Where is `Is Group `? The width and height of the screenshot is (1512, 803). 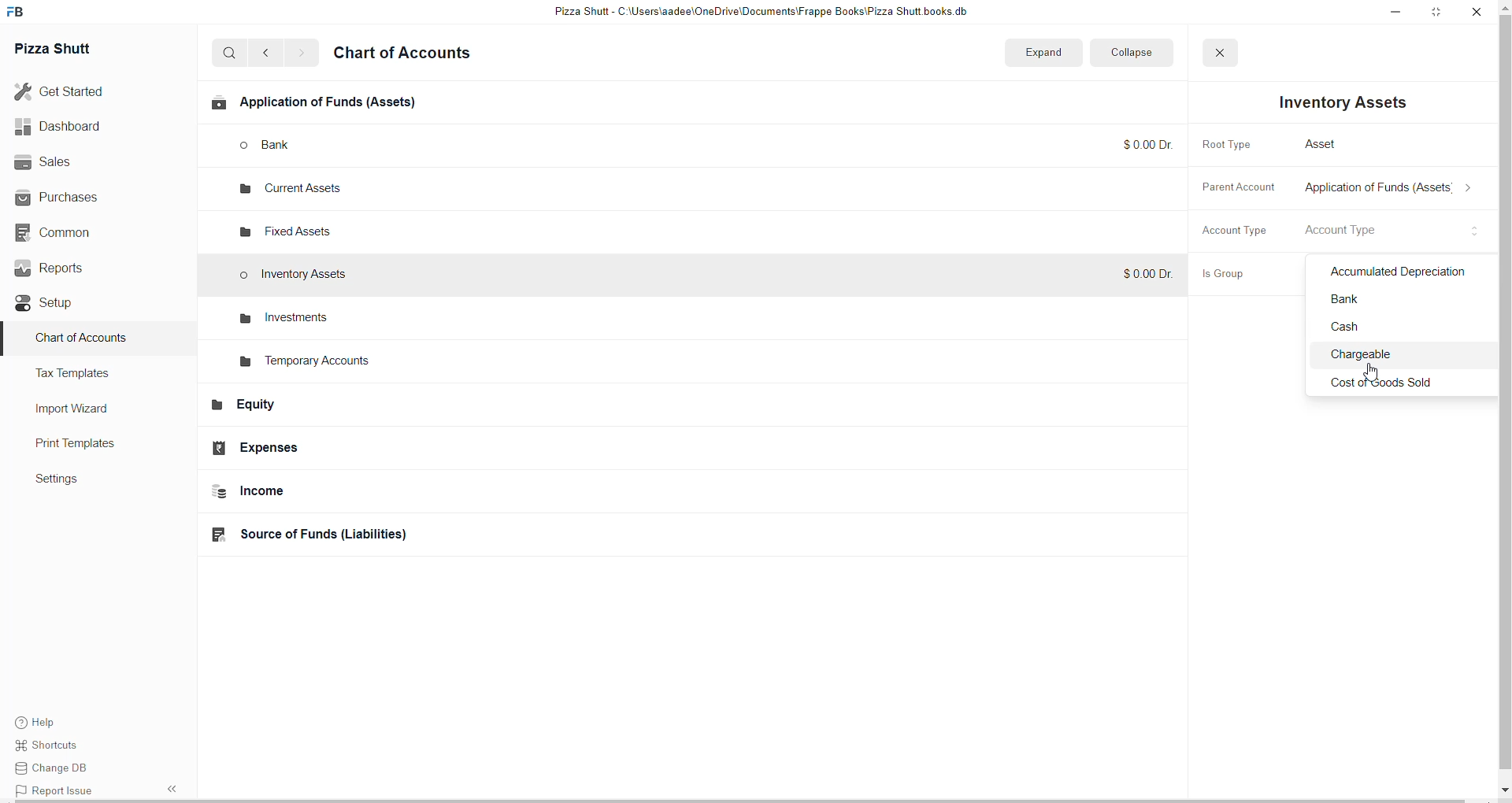 Is Group  is located at coordinates (1230, 276).